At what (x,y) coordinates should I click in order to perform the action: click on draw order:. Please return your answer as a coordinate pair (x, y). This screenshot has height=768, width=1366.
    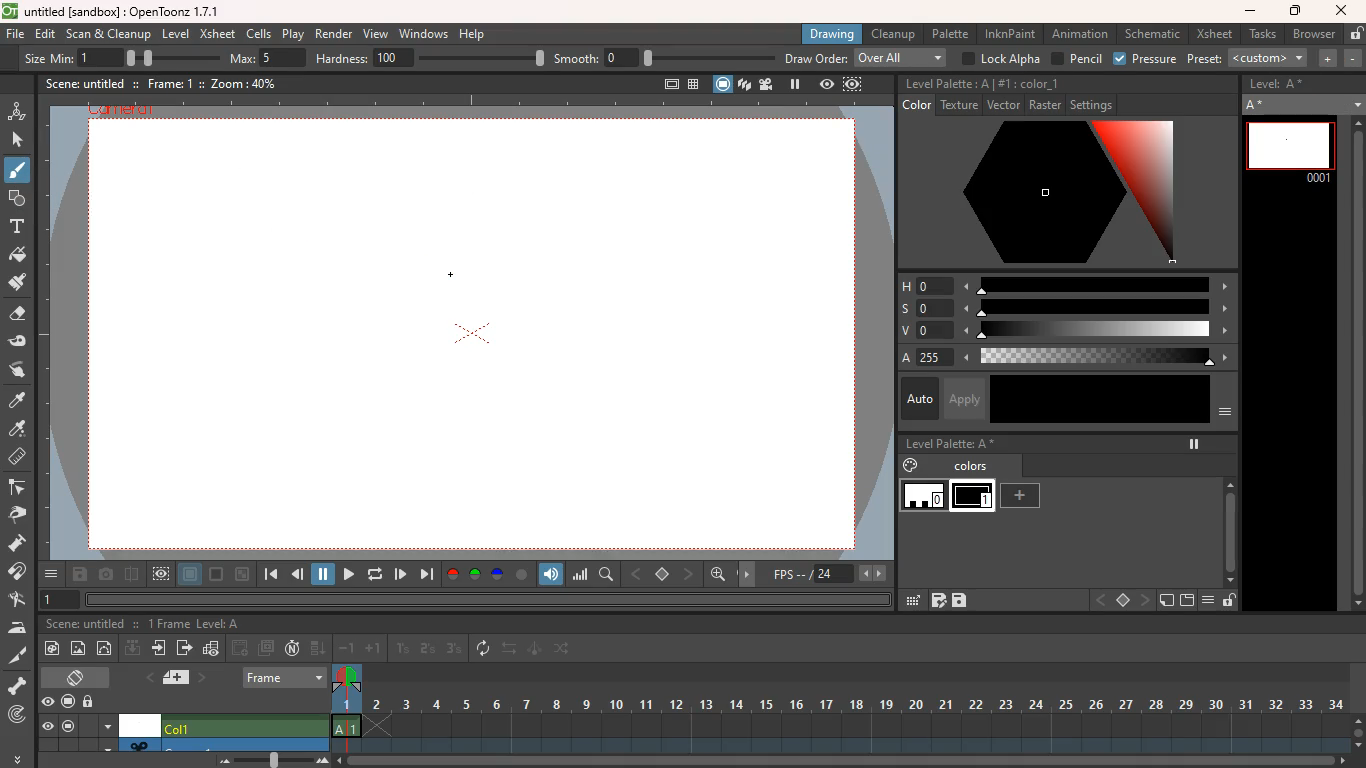
    Looking at the image, I should click on (868, 59).